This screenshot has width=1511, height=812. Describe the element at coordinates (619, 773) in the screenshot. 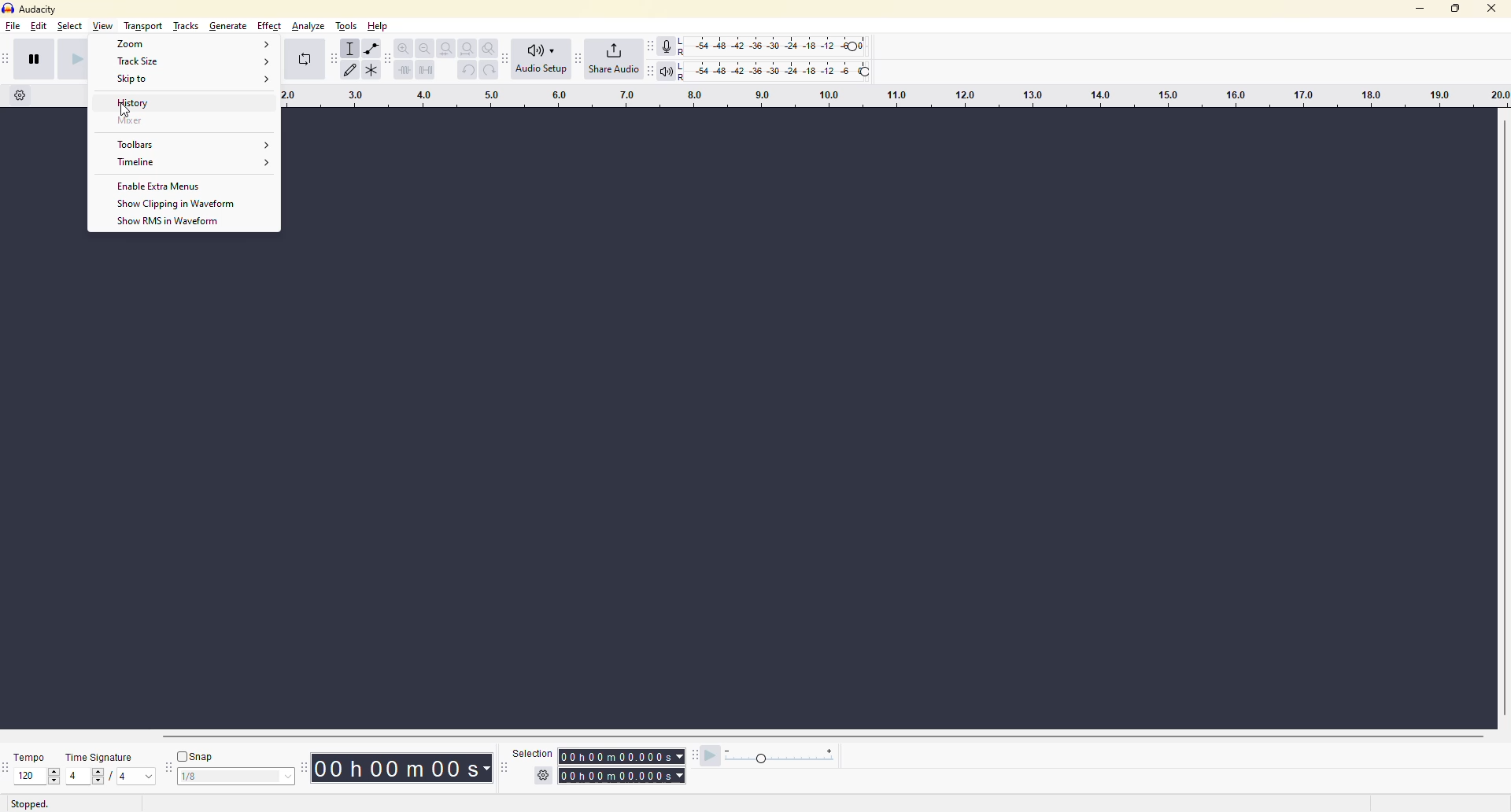

I see `selection` at that location.